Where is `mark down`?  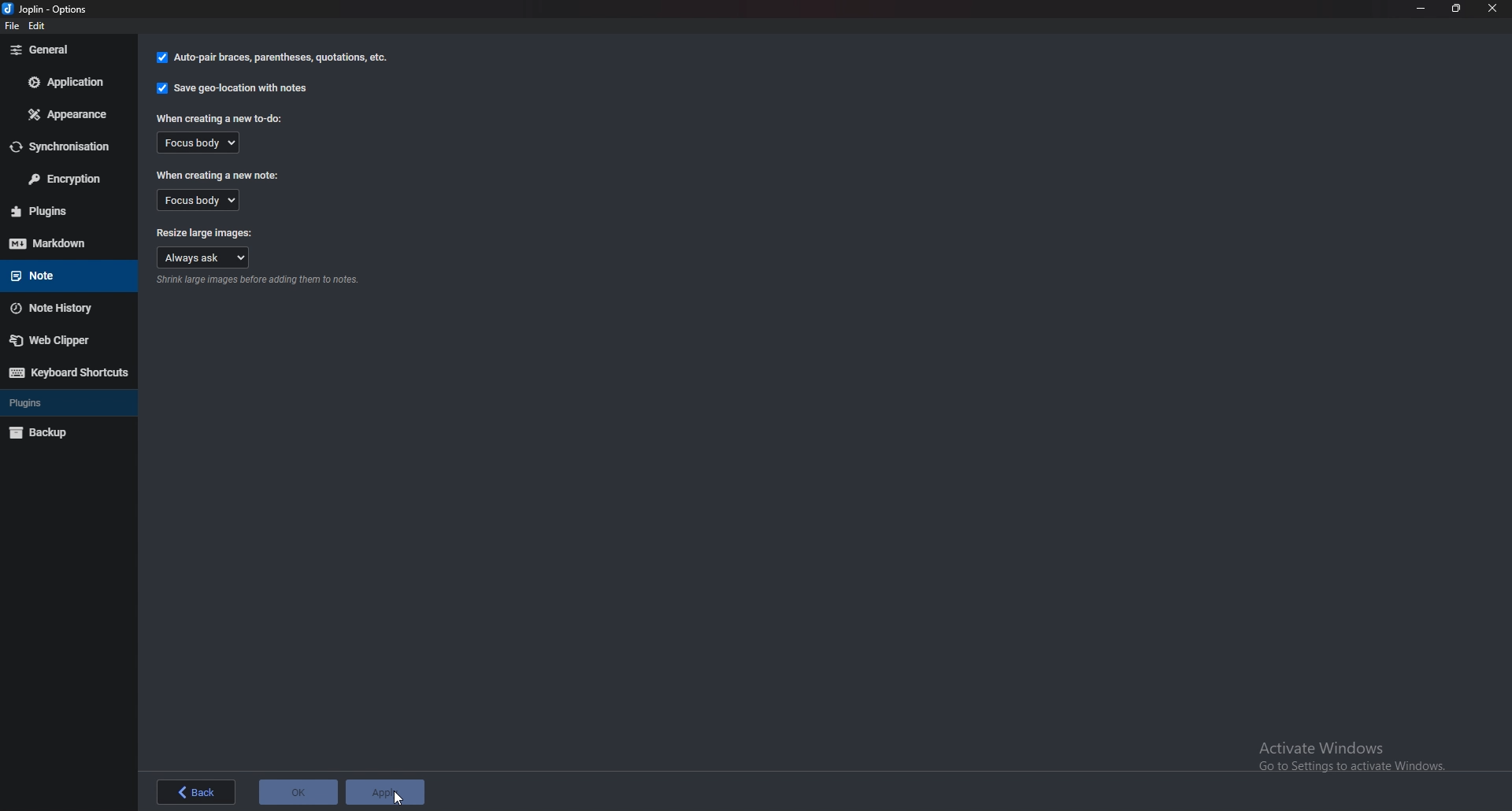
mark down is located at coordinates (65, 243).